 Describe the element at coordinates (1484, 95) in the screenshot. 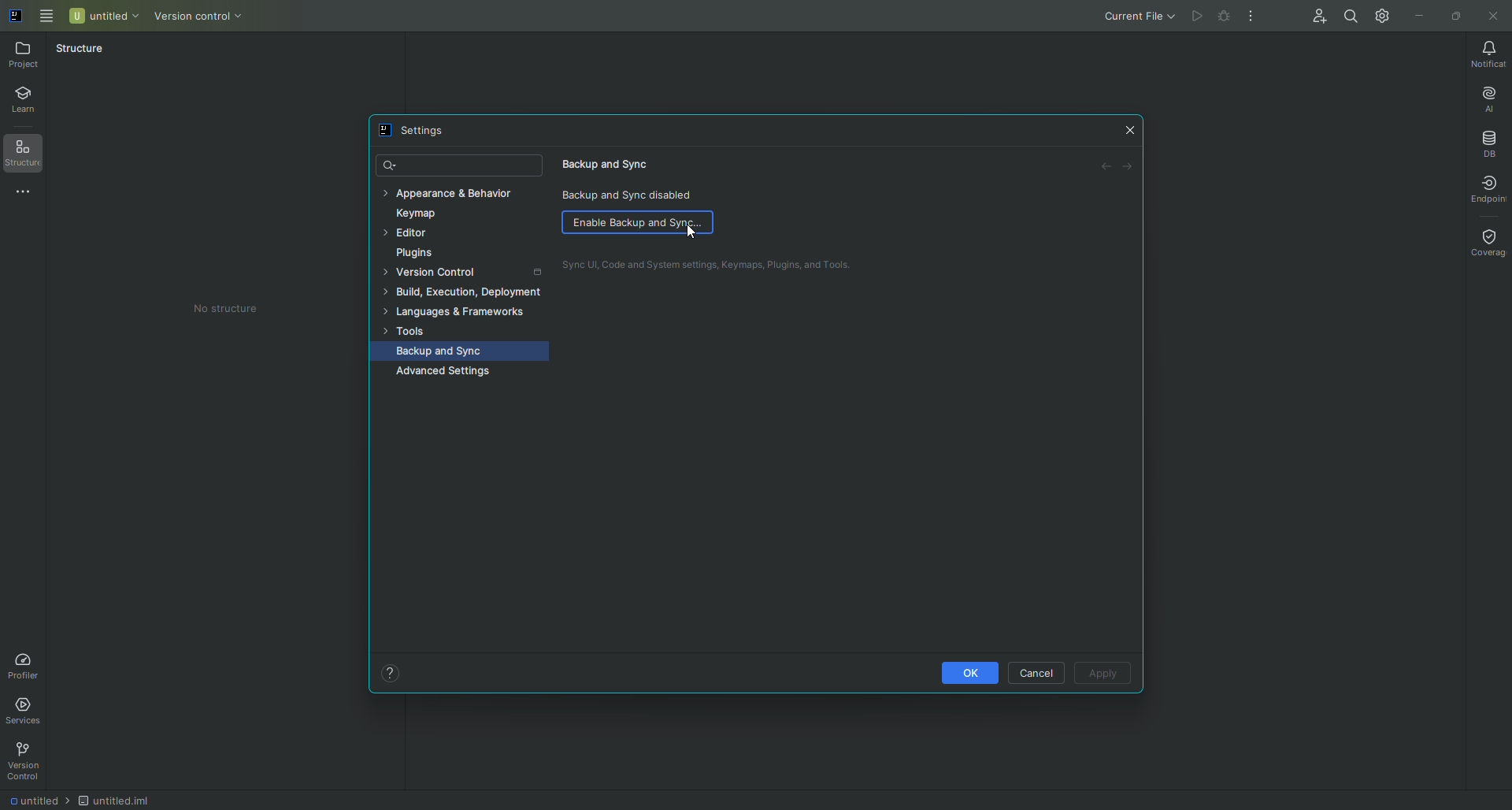

I see `AI Assistant` at that location.